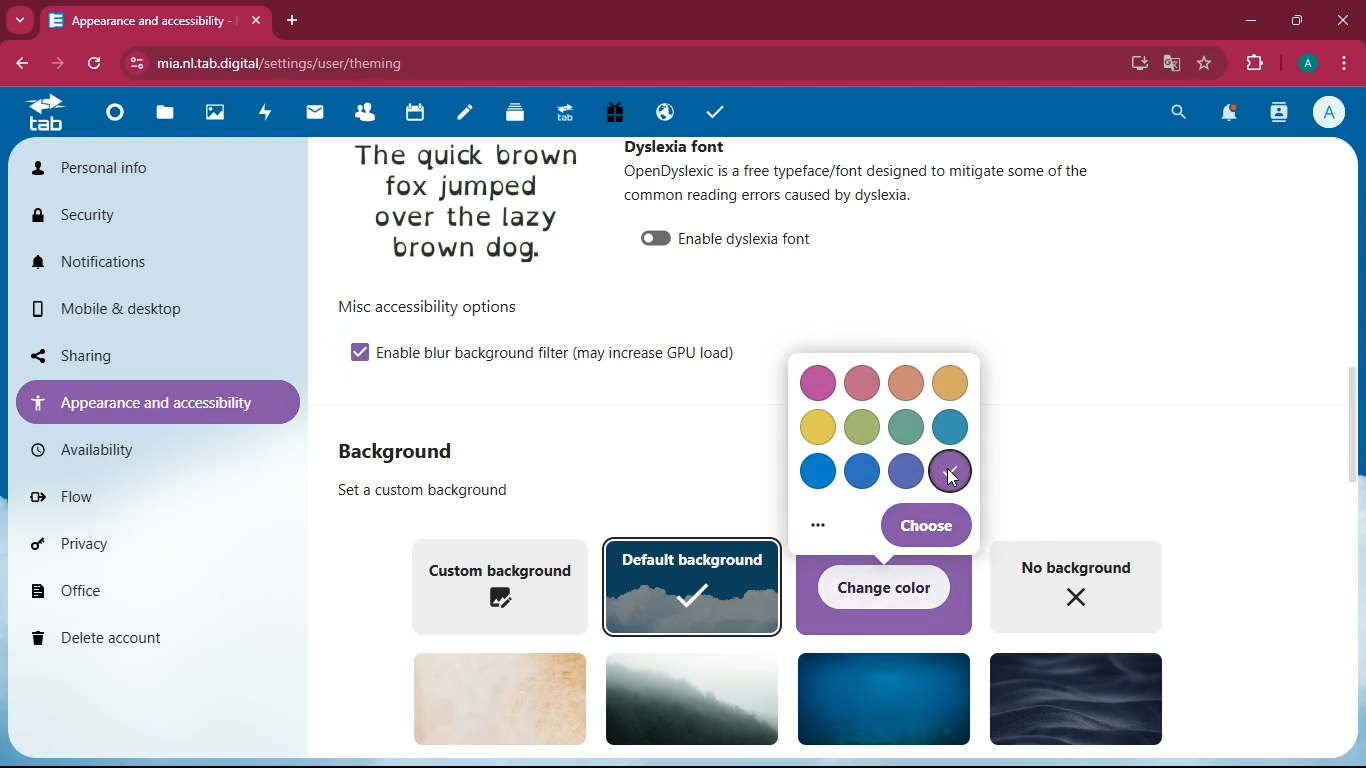  I want to click on color, so click(952, 428).